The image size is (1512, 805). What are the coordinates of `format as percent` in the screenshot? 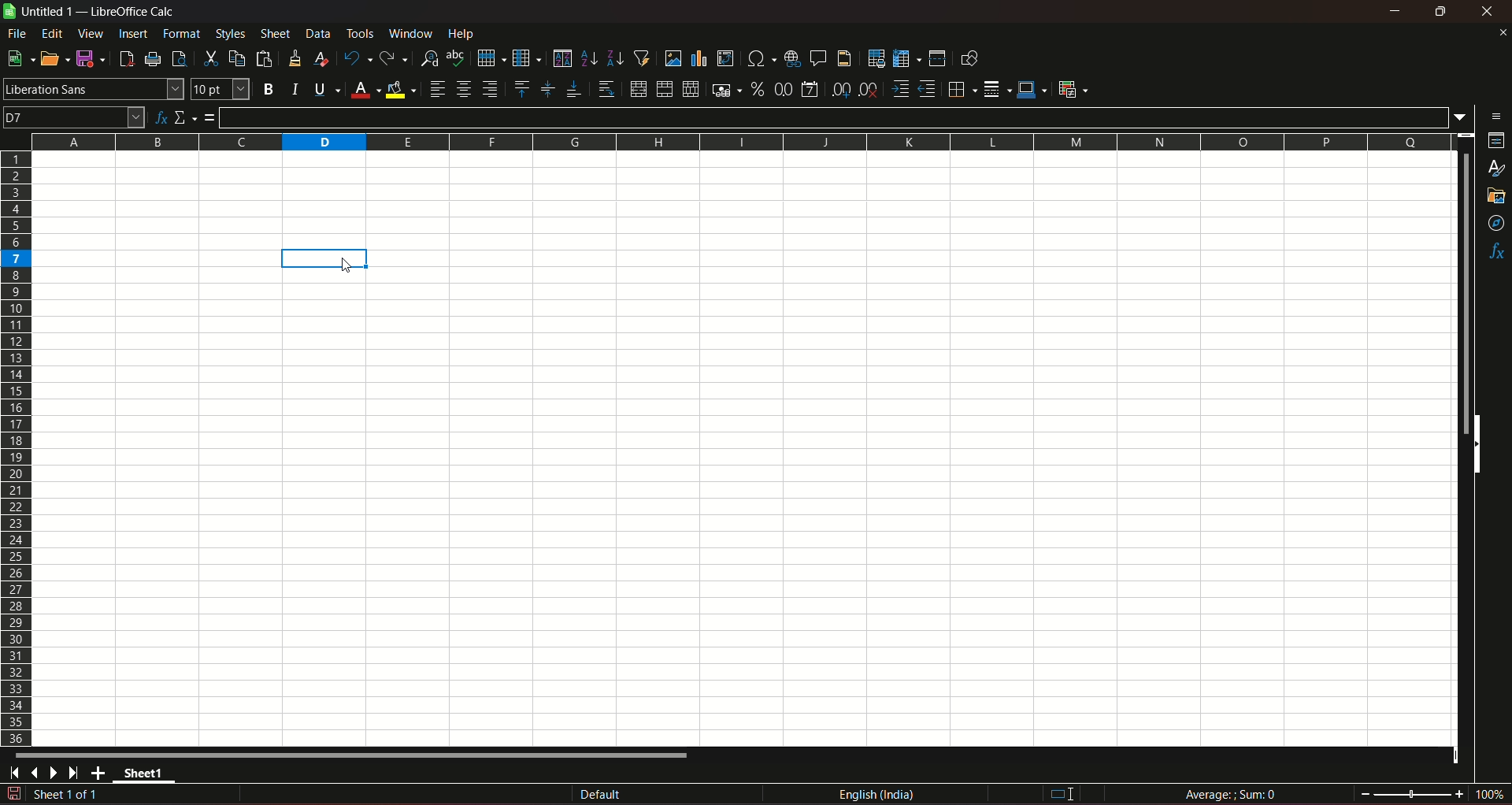 It's located at (757, 88).